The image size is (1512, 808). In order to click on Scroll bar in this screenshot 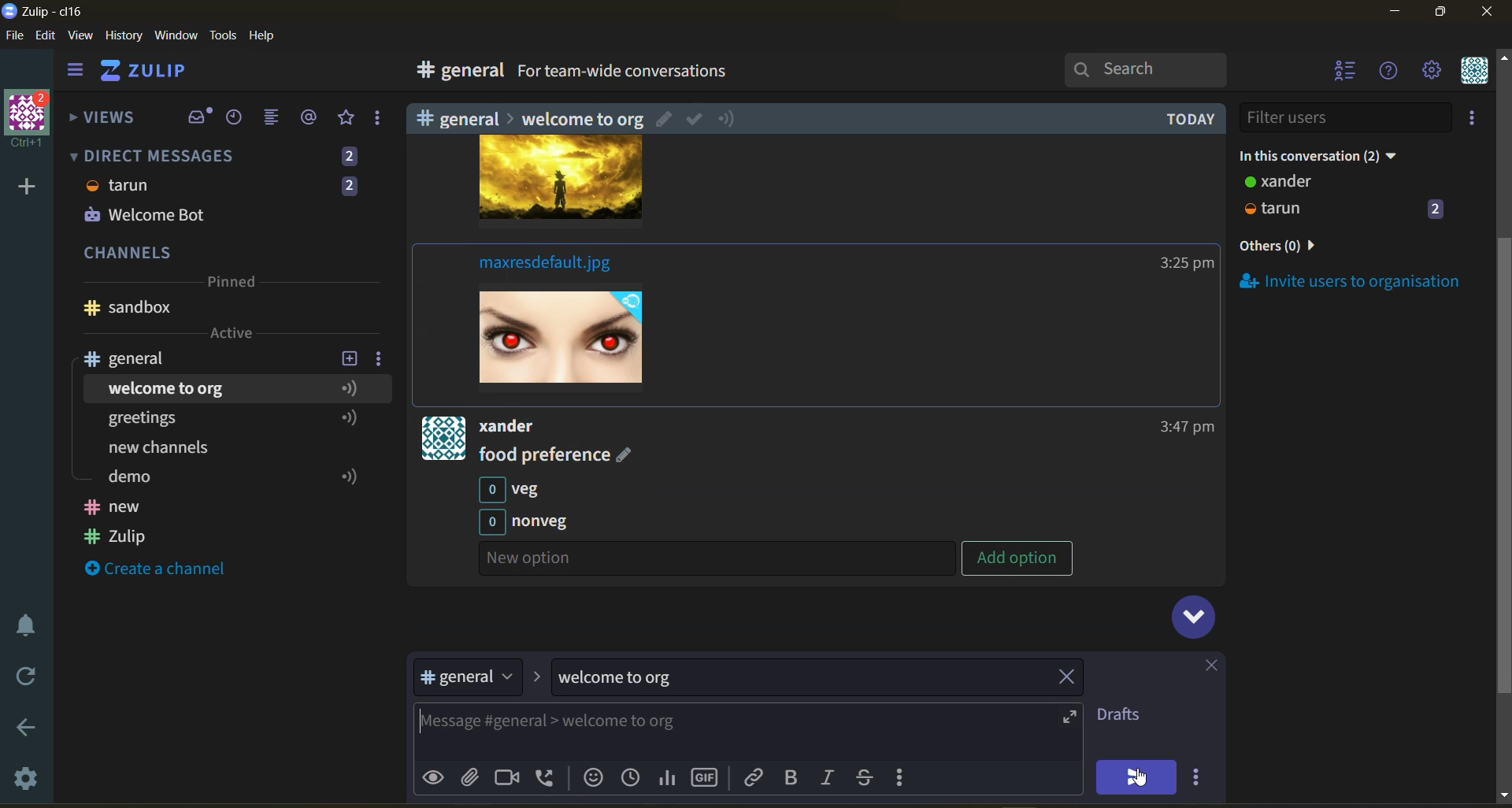, I will do `click(1503, 421)`.